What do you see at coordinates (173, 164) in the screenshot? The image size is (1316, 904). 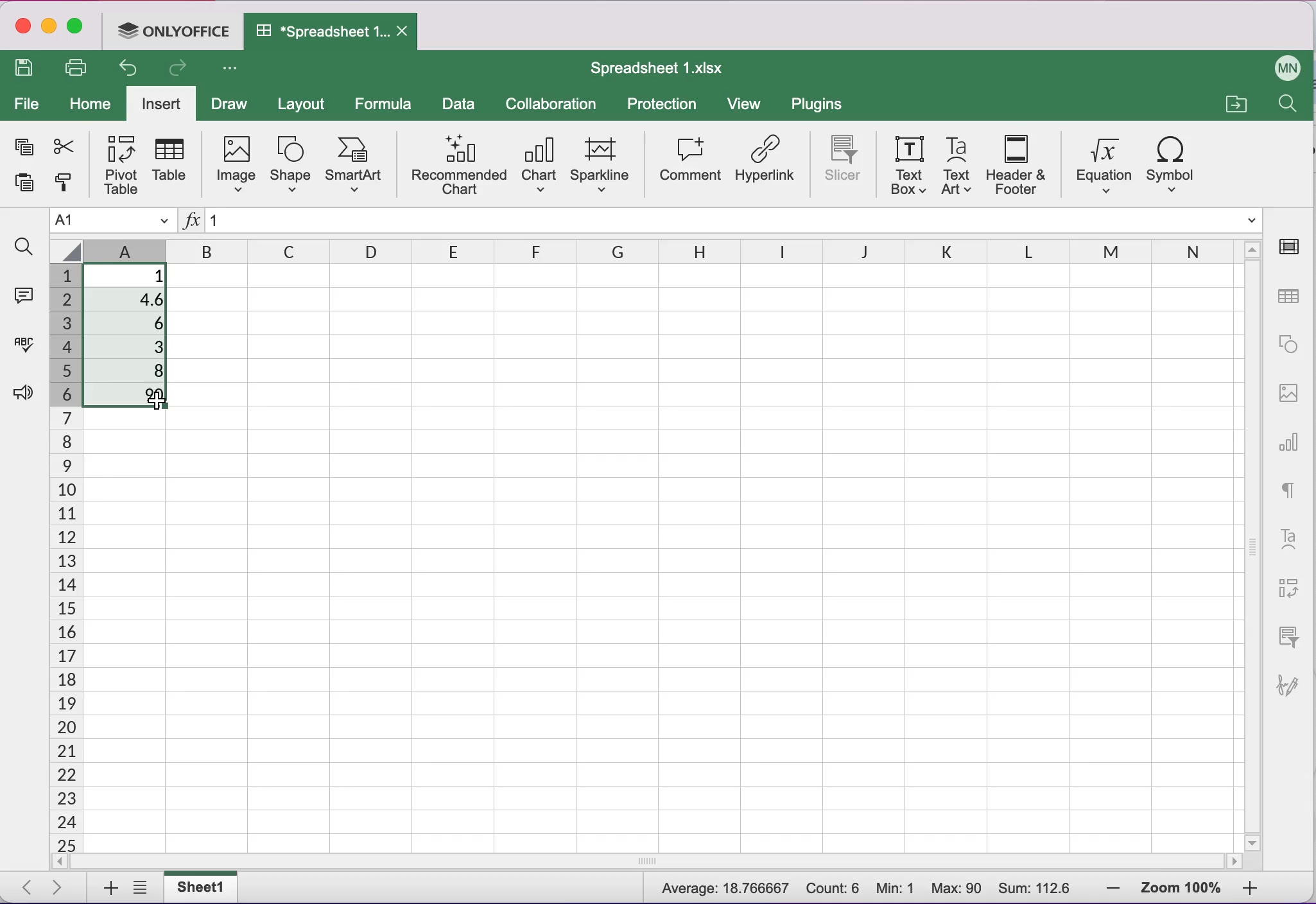 I see `table` at bounding box center [173, 164].